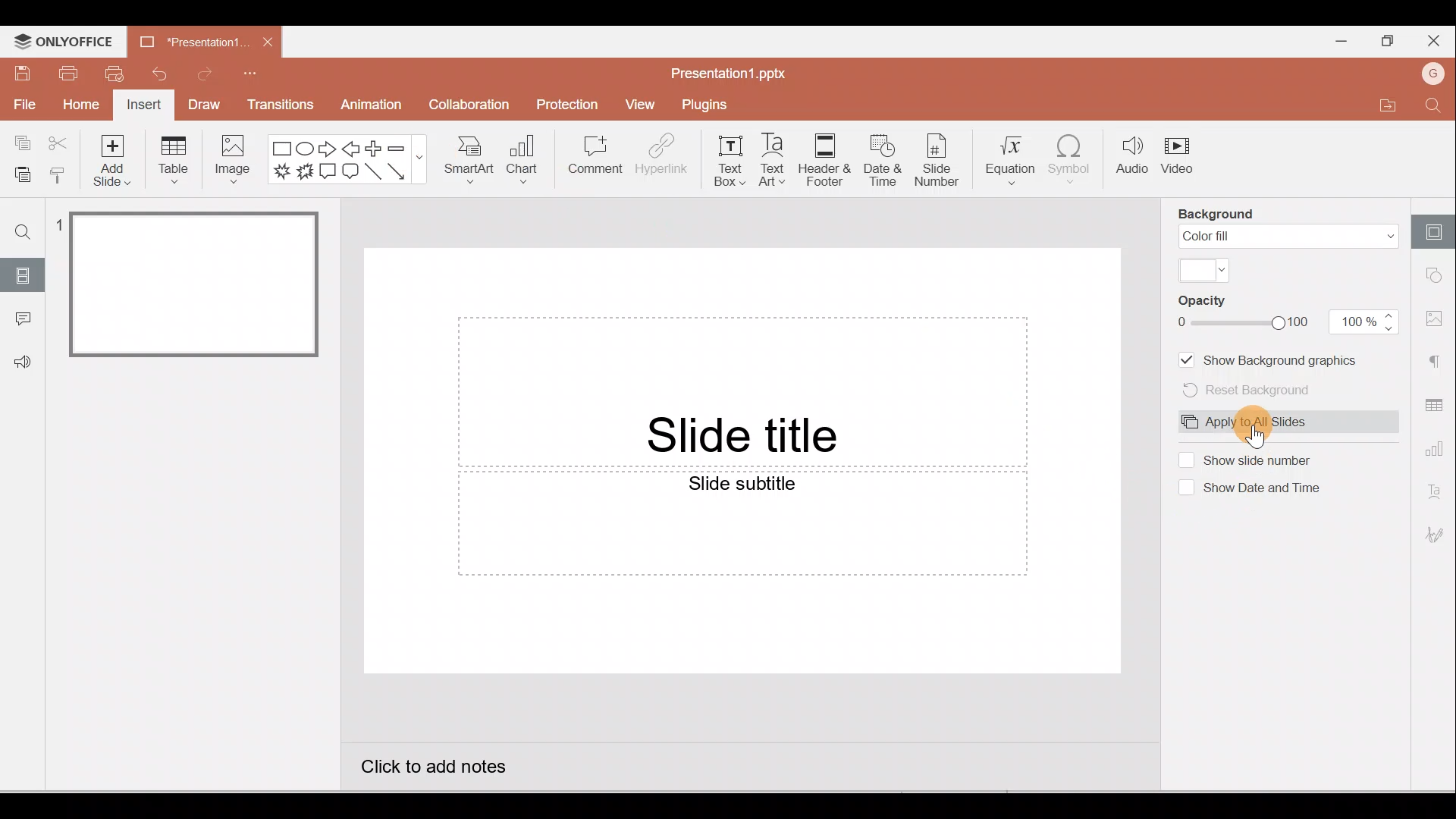  What do you see at coordinates (187, 39) in the screenshot?
I see `Document name` at bounding box center [187, 39].